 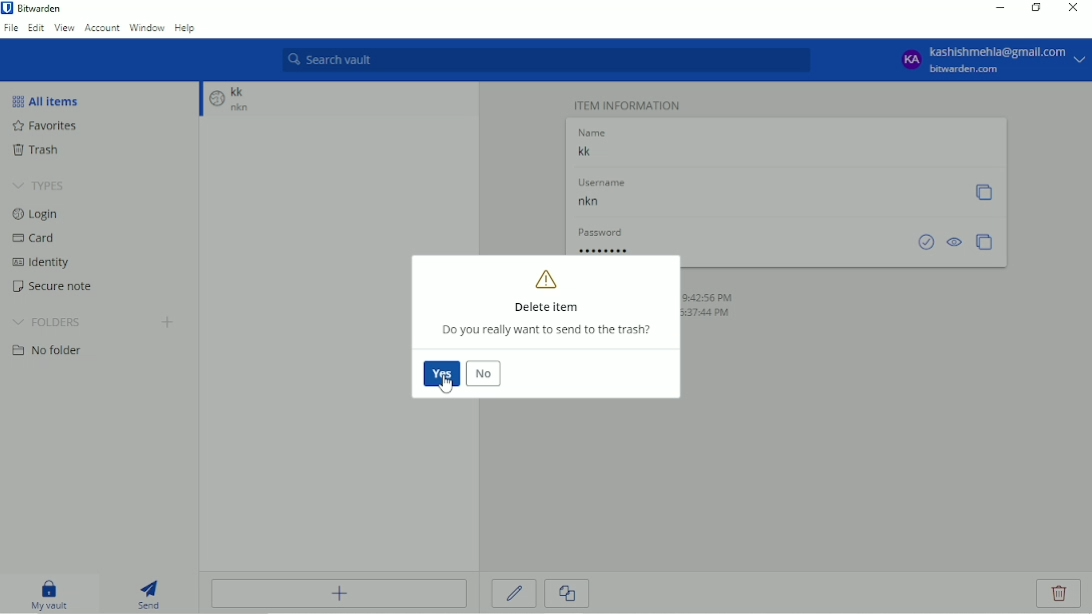 I want to click on Password, so click(x=736, y=248).